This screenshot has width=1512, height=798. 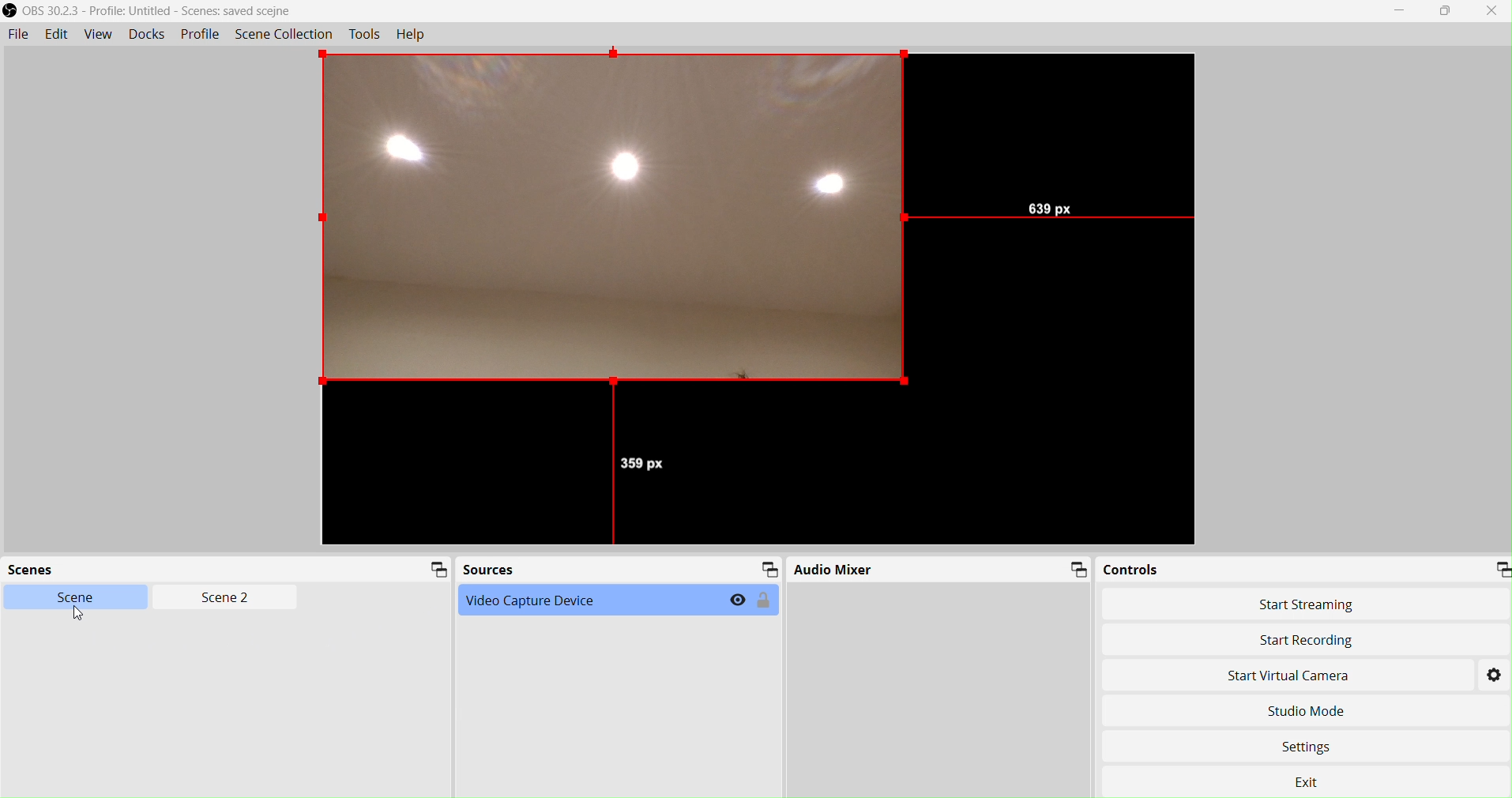 What do you see at coordinates (228, 569) in the screenshot?
I see `Scenes` at bounding box center [228, 569].